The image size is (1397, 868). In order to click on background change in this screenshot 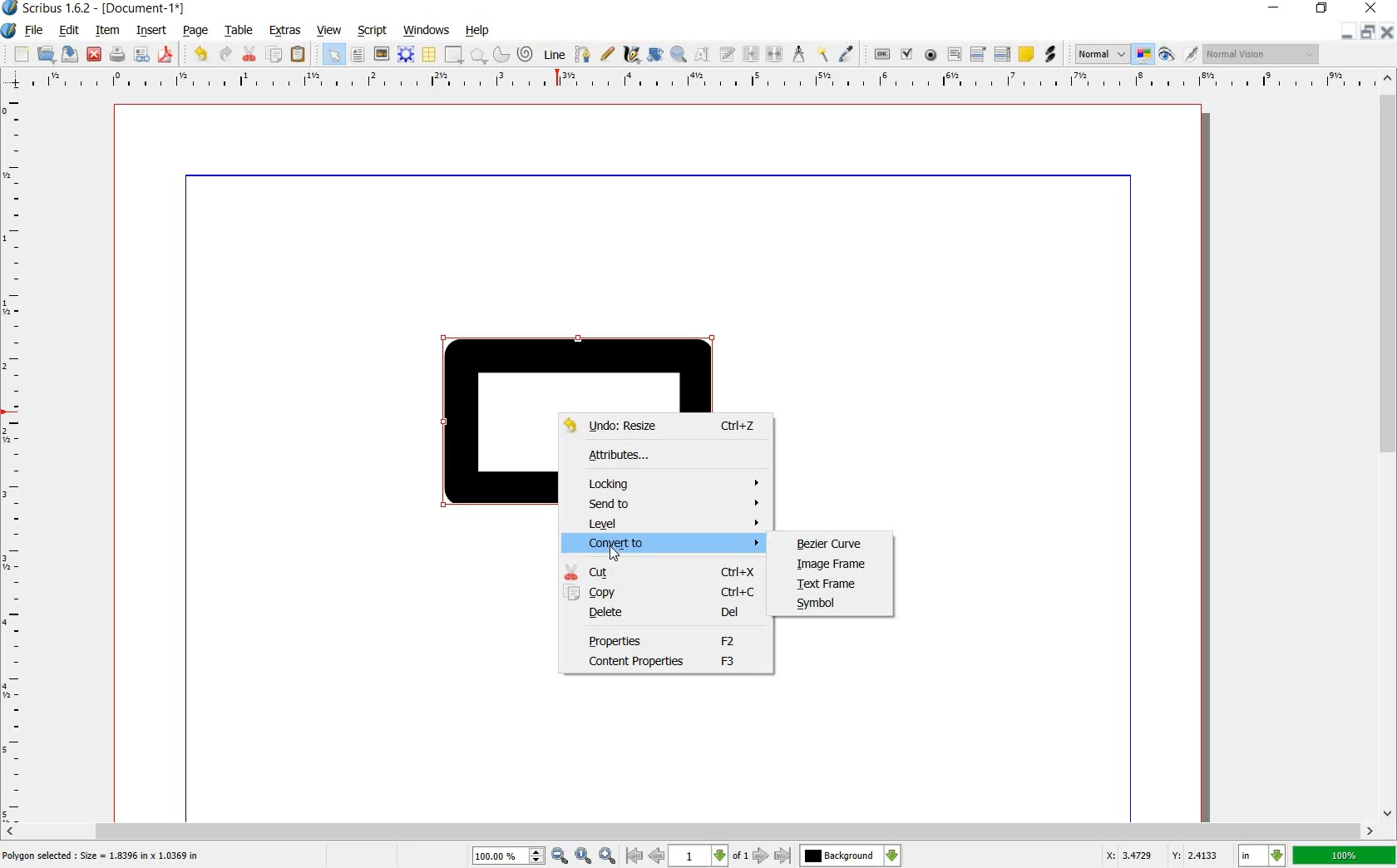, I will do `click(850, 856)`.